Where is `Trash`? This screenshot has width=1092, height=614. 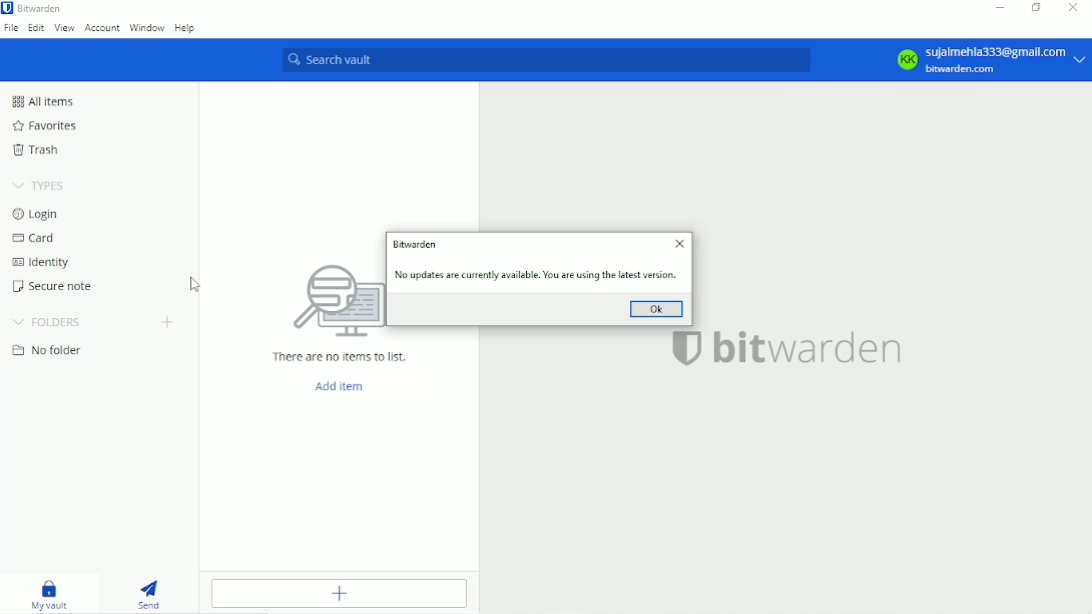
Trash is located at coordinates (37, 150).